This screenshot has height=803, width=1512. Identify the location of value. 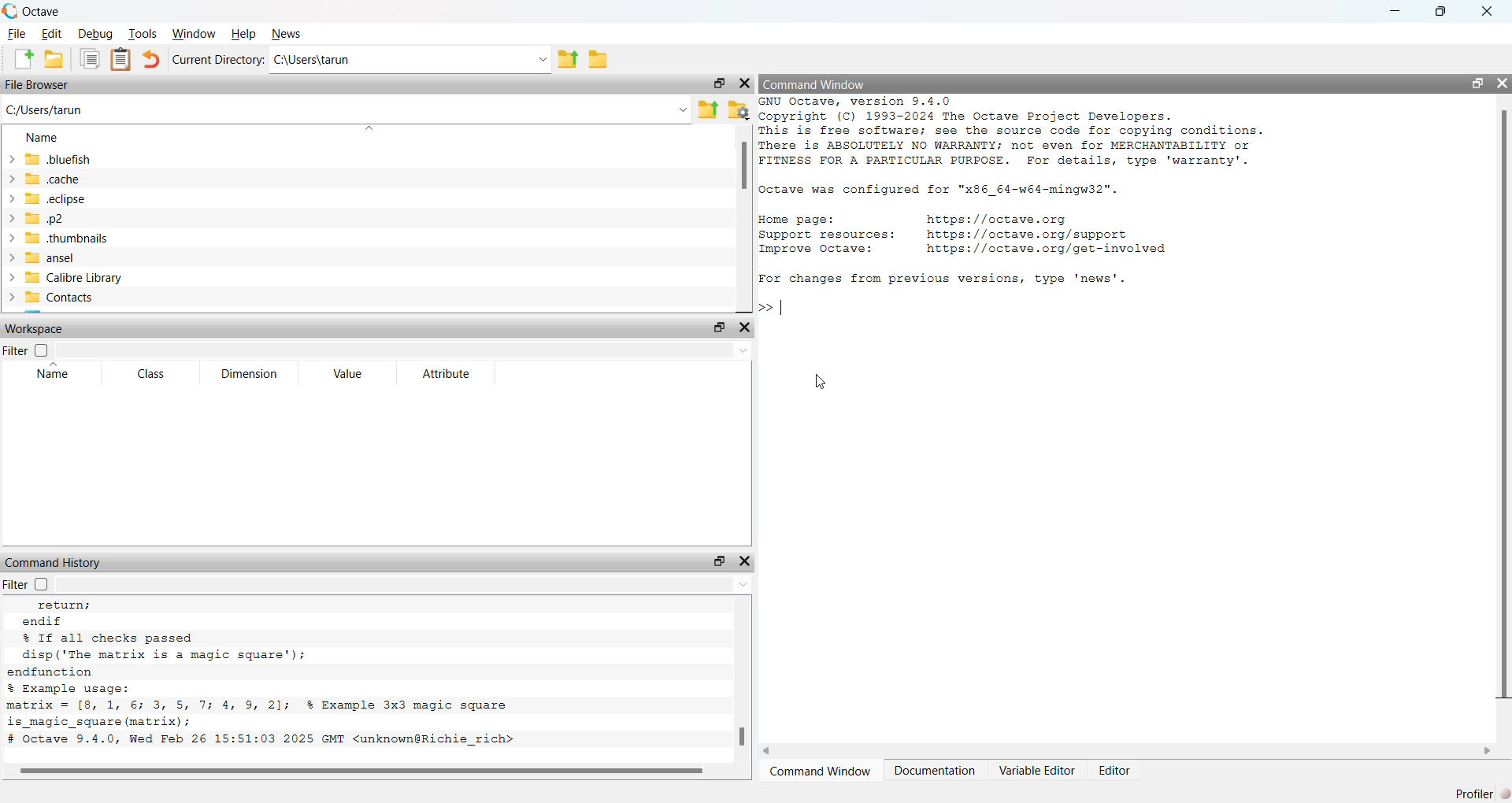
(350, 374).